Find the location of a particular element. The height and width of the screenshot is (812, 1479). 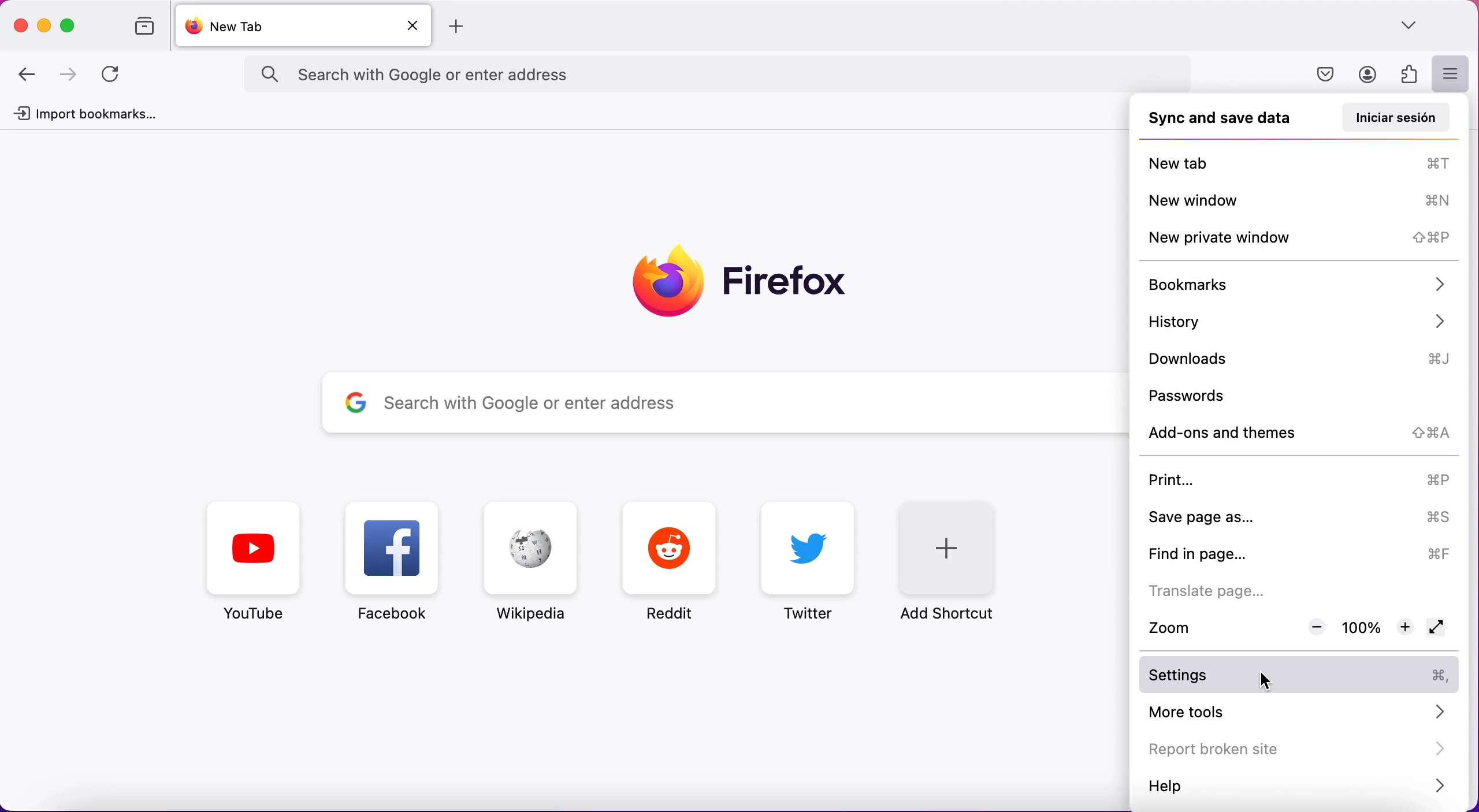

iniciar sesion is located at coordinates (1393, 117).